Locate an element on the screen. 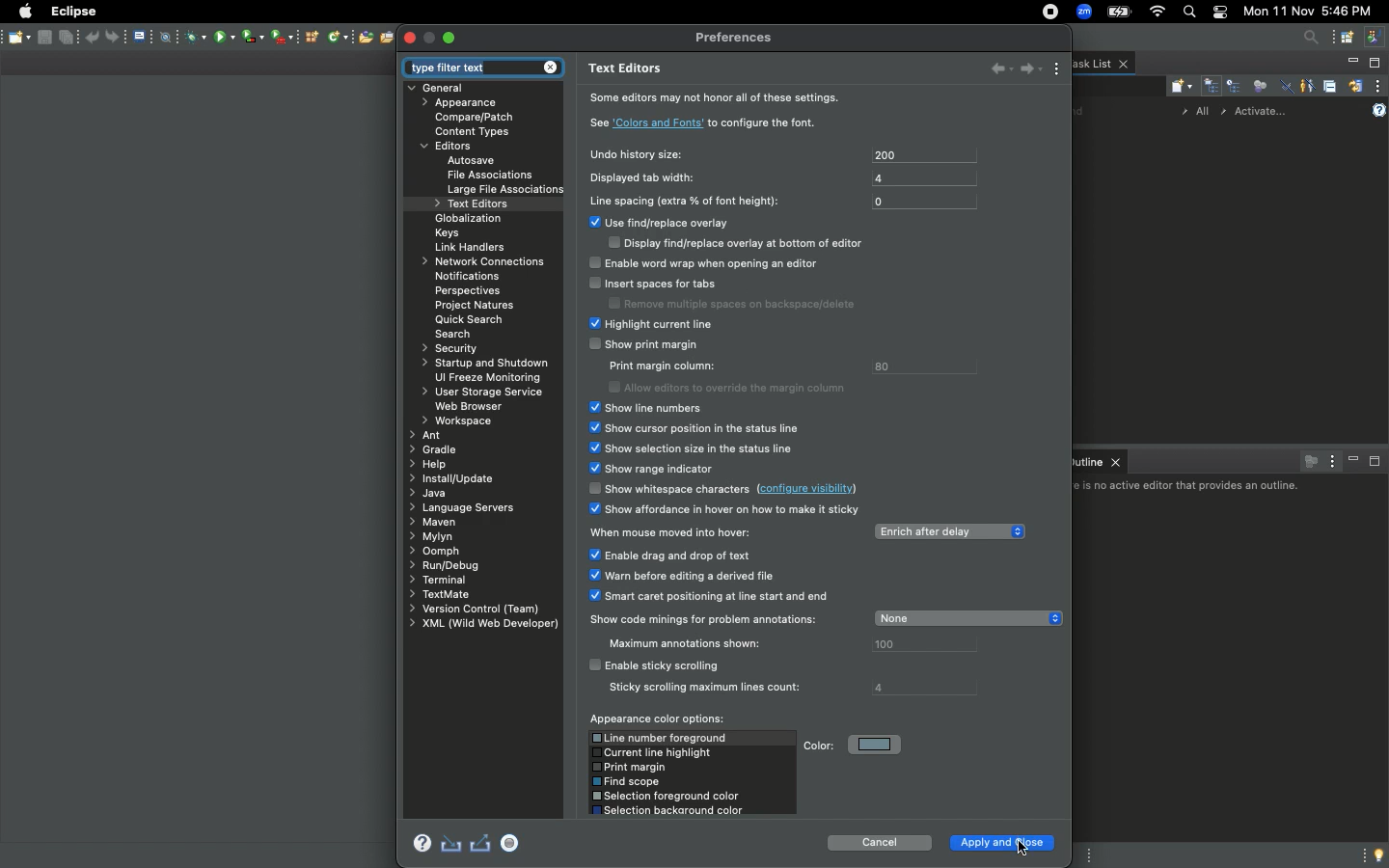 Image resolution: width=1389 pixels, height=868 pixels. Install update is located at coordinates (455, 480).